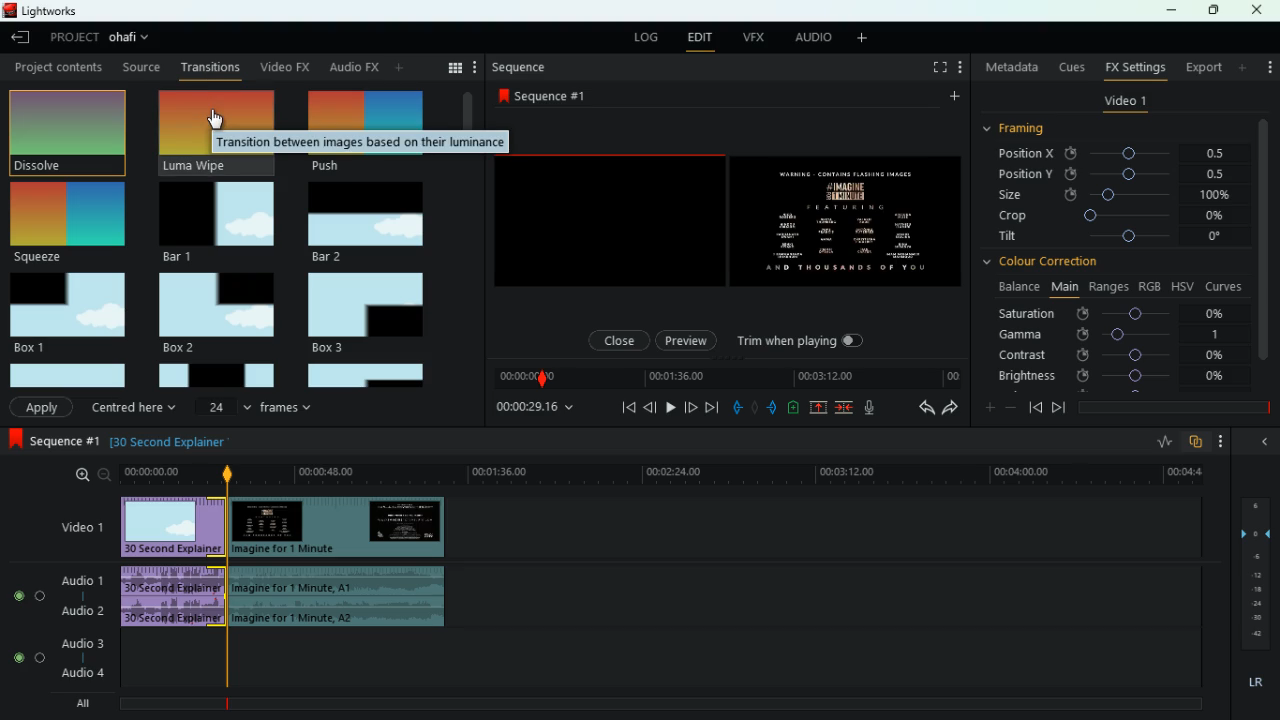 The image size is (1280, 720). What do you see at coordinates (432, 67) in the screenshot?
I see `search` at bounding box center [432, 67].